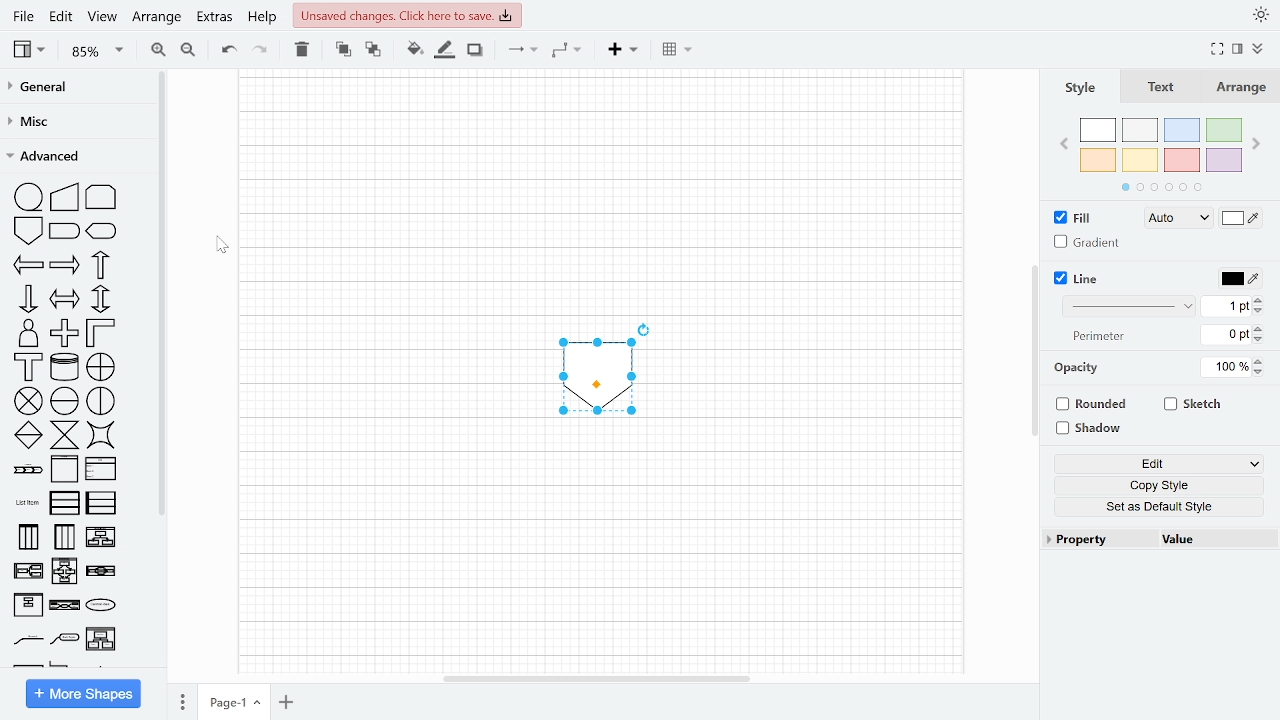 Image resolution: width=1280 pixels, height=720 pixels. I want to click on white, so click(1098, 131).